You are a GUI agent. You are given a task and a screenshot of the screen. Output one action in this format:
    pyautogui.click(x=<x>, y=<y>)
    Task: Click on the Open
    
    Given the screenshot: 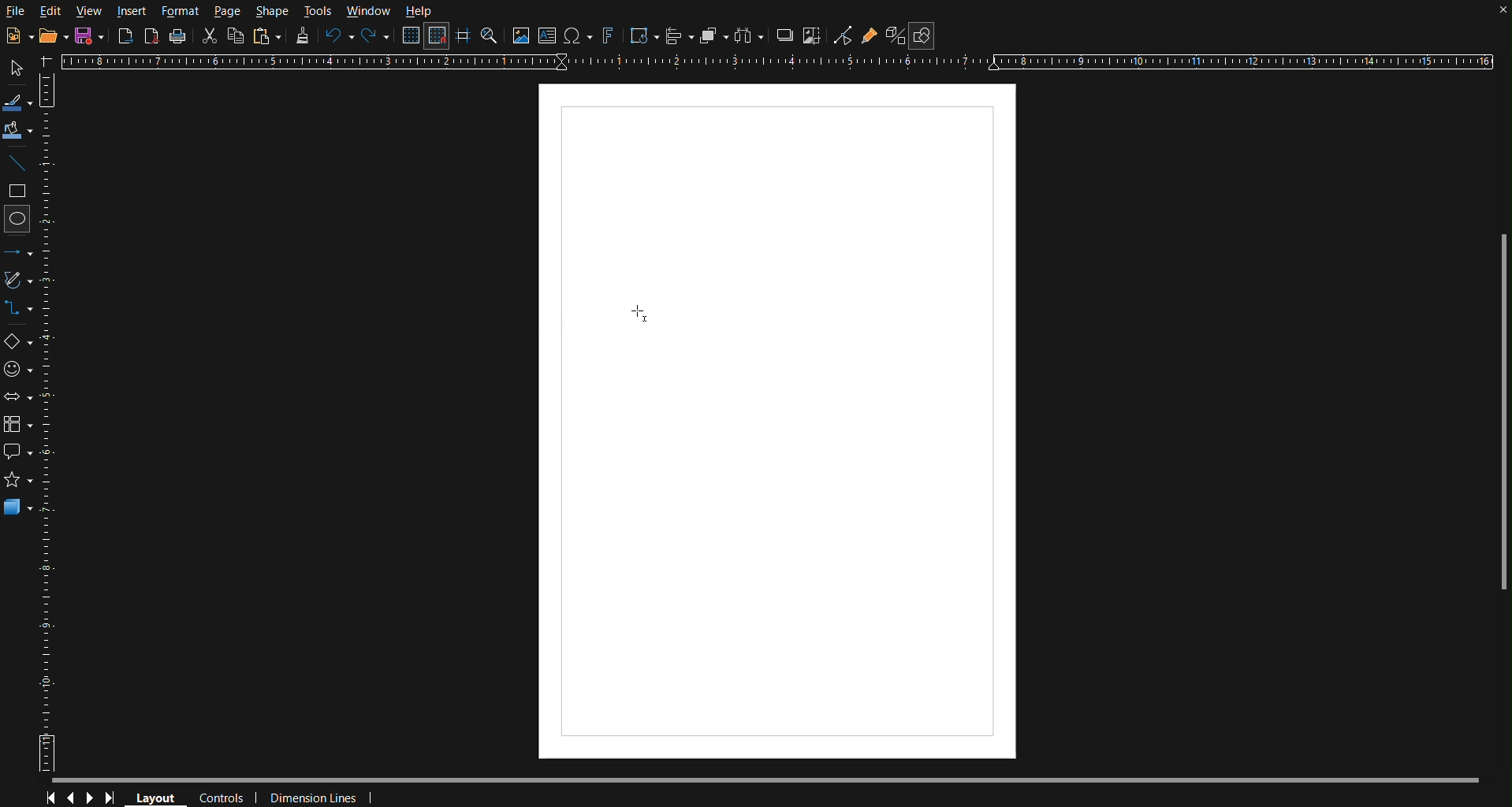 What is the action you would take?
    pyautogui.click(x=49, y=35)
    